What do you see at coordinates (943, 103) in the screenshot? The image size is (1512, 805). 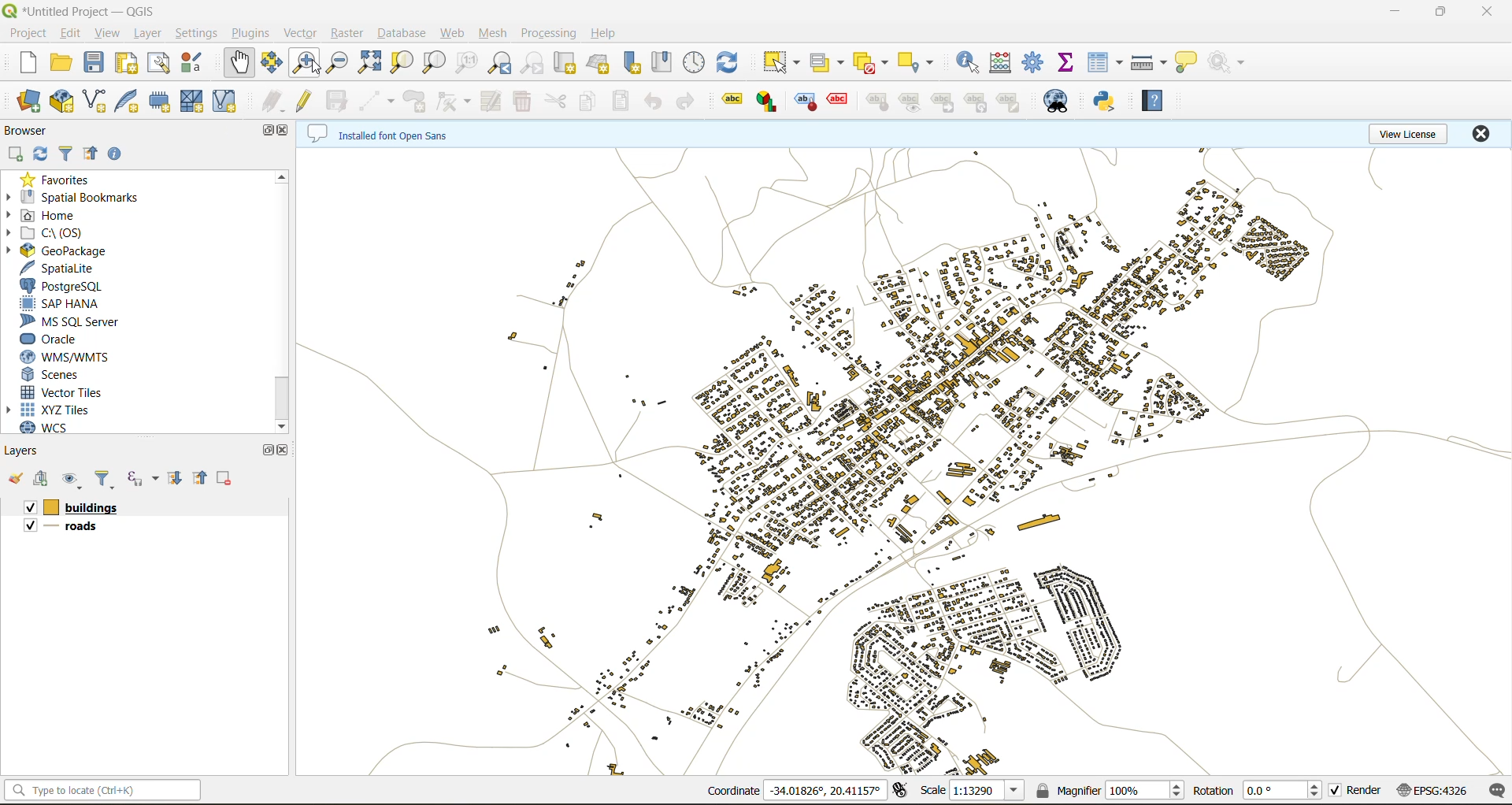 I see `Forward Label` at bounding box center [943, 103].